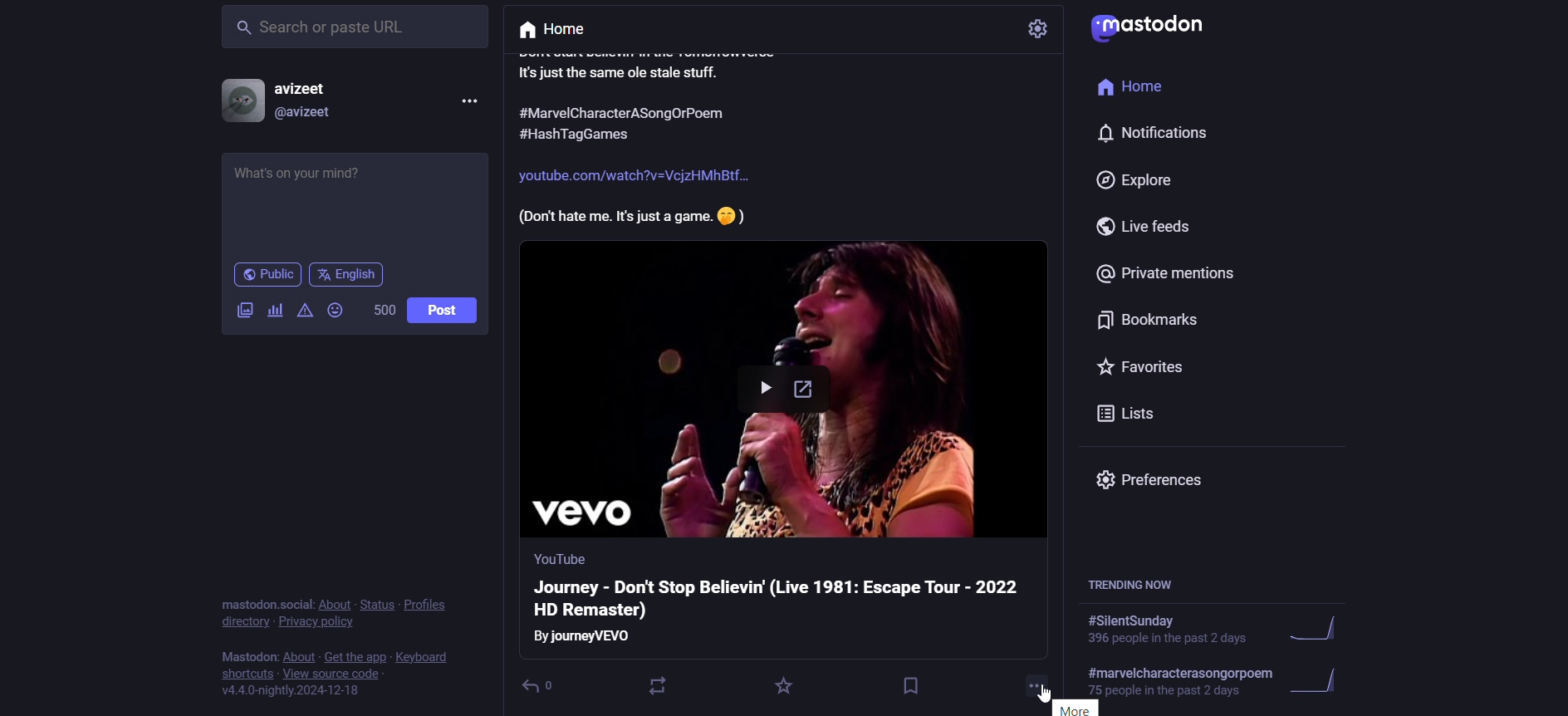 The image size is (1568, 716). What do you see at coordinates (468, 102) in the screenshot?
I see `more` at bounding box center [468, 102].